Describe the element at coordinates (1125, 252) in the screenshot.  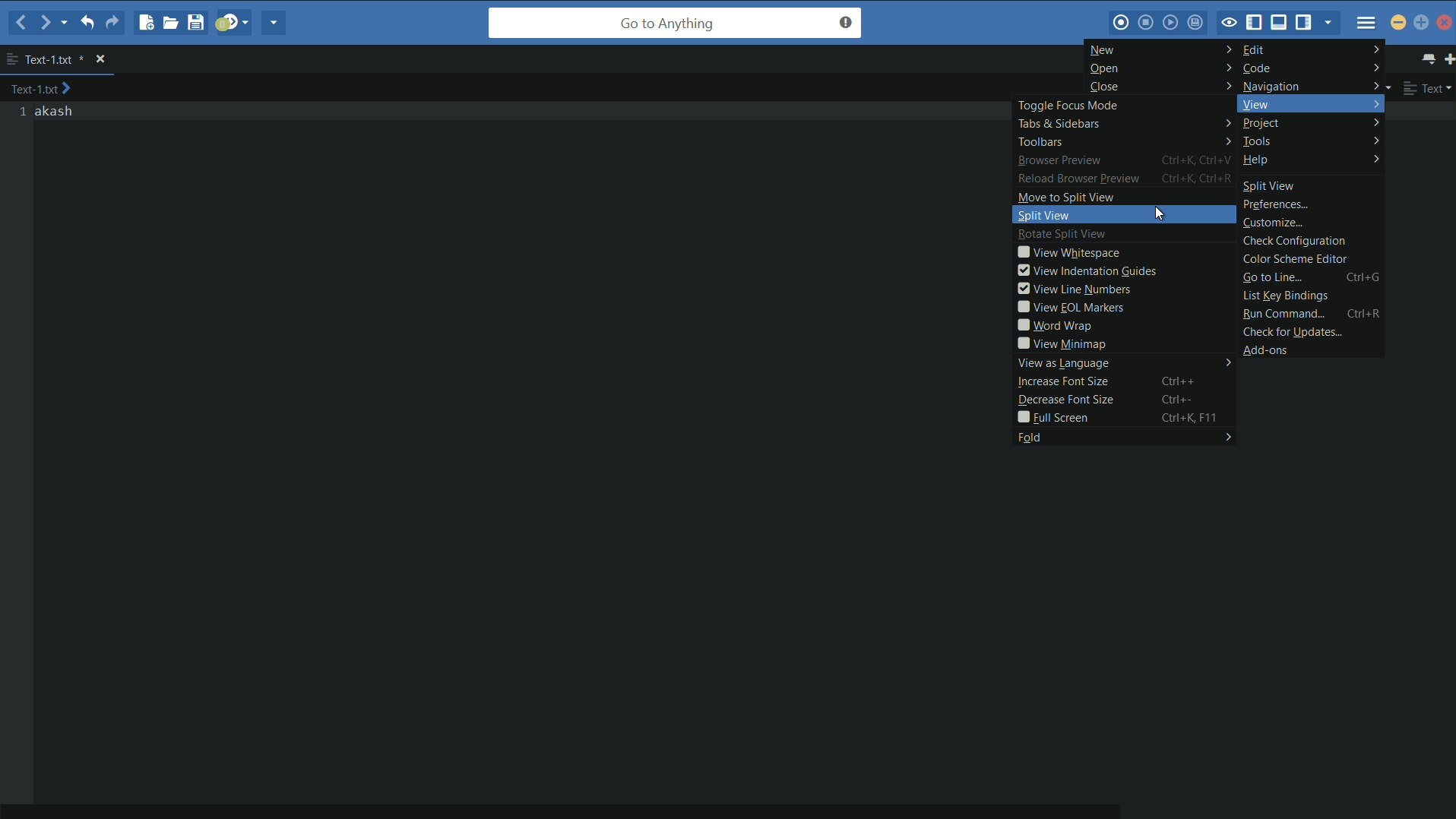
I see `view whitespace` at that location.